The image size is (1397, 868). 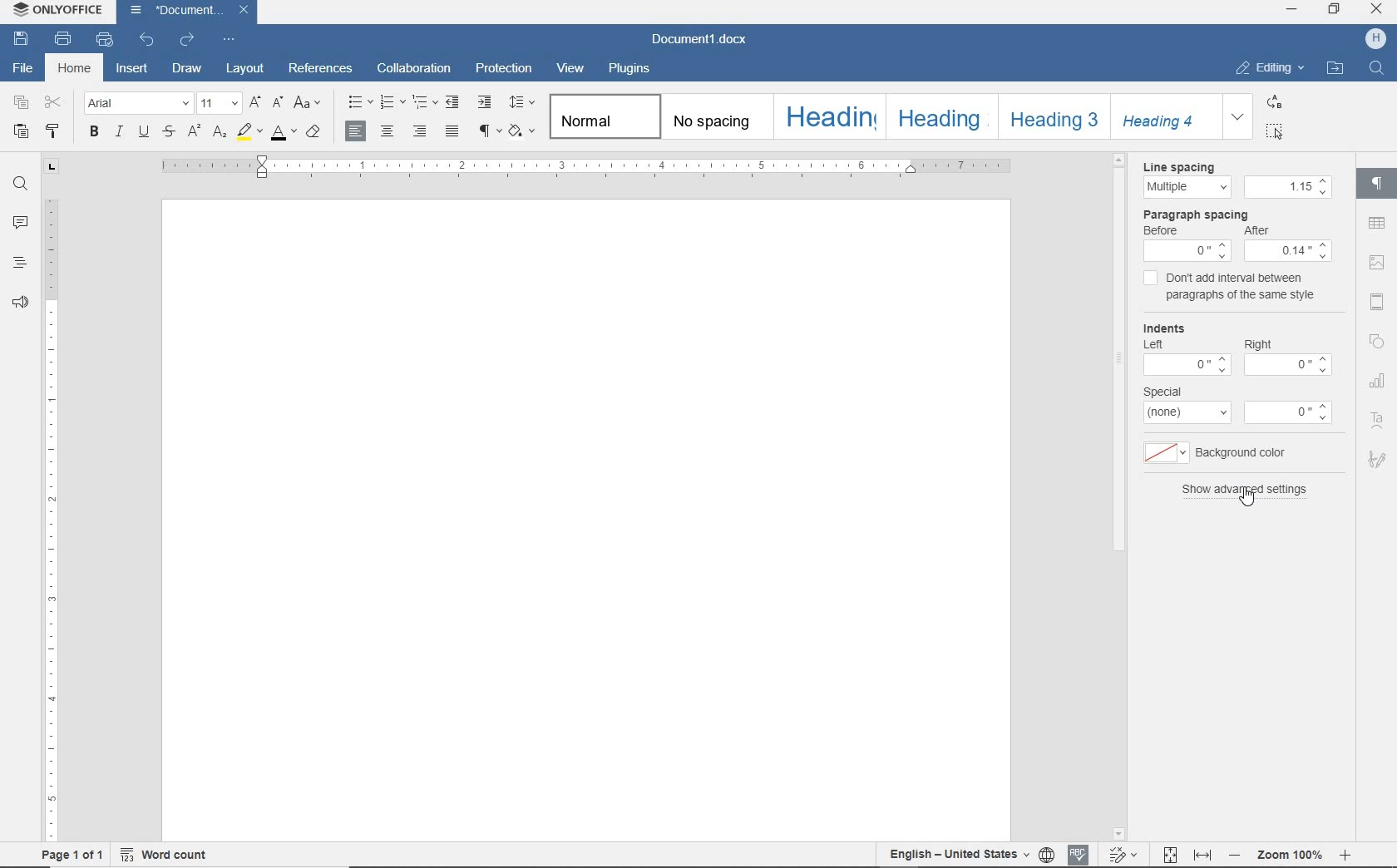 I want to click on - Zoom 100% +, so click(x=1291, y=856).